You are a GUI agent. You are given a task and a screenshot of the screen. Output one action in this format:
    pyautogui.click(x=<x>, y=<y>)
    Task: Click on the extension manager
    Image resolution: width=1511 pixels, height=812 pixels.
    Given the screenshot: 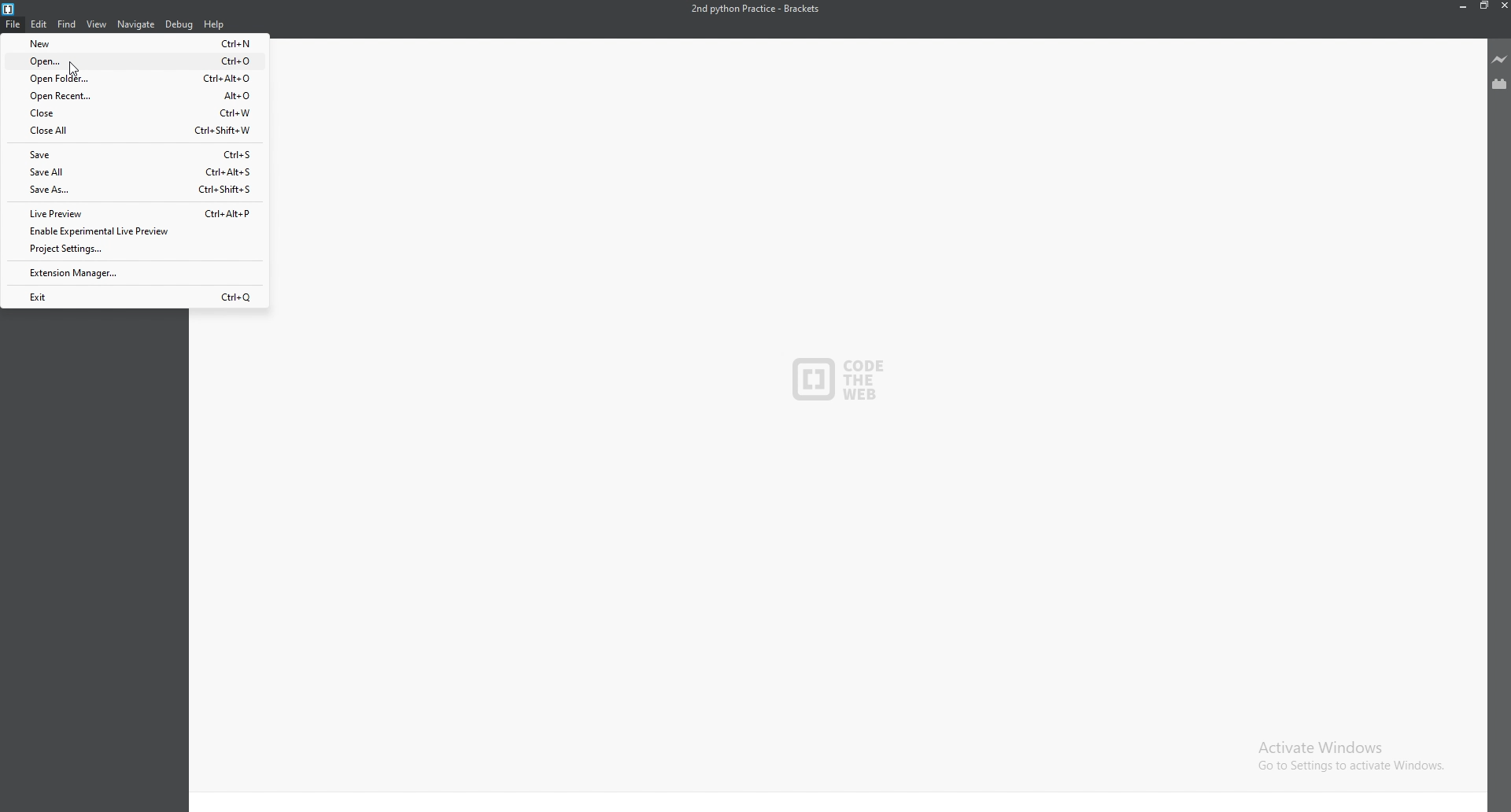 What is the action you would take?
    pyautogui.click(x=134, y=273)
    